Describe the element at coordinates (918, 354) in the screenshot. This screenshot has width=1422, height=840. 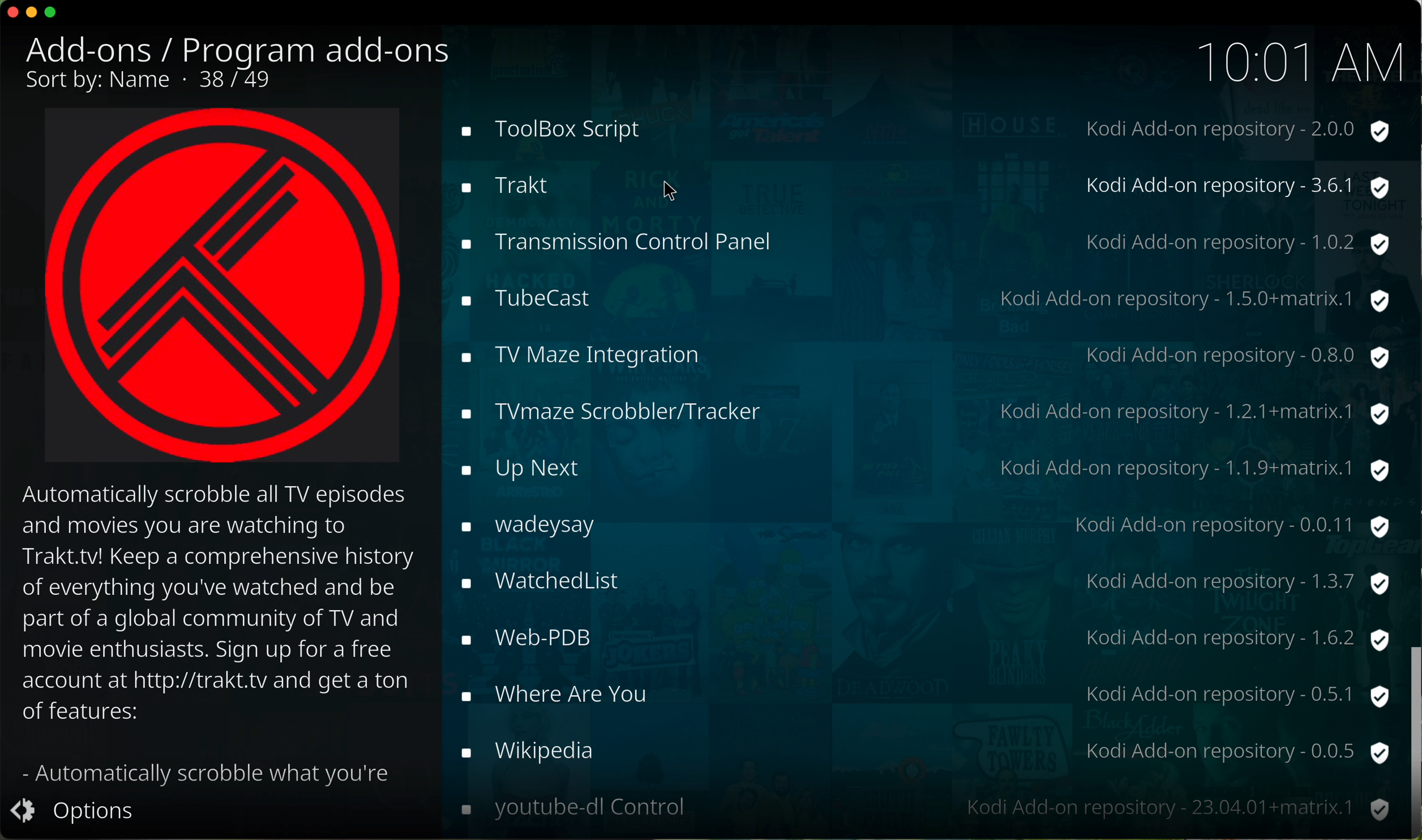
I see `tv maze integration` at that location.